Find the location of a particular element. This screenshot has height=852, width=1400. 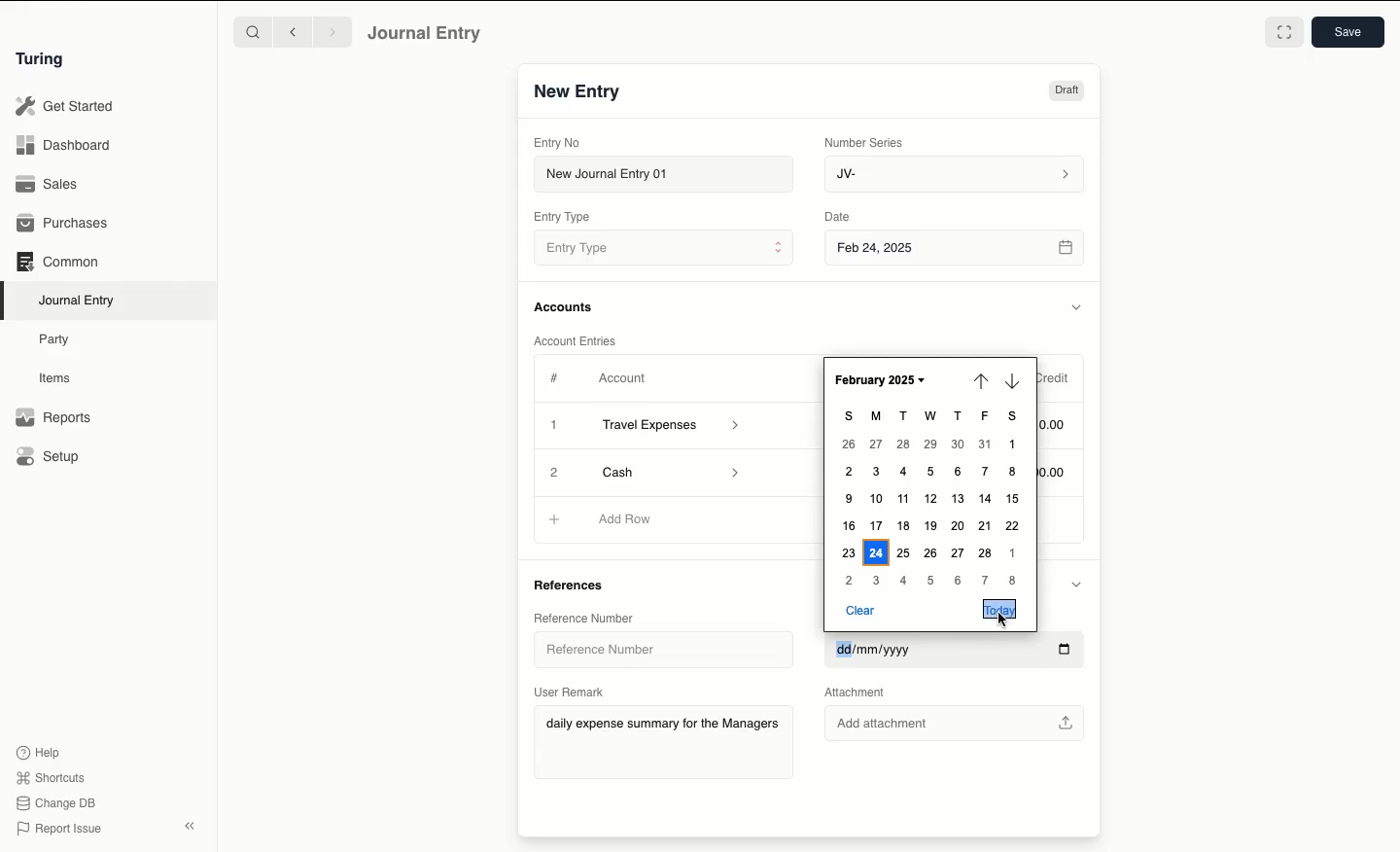

Add is located at coordinates (556, 520).